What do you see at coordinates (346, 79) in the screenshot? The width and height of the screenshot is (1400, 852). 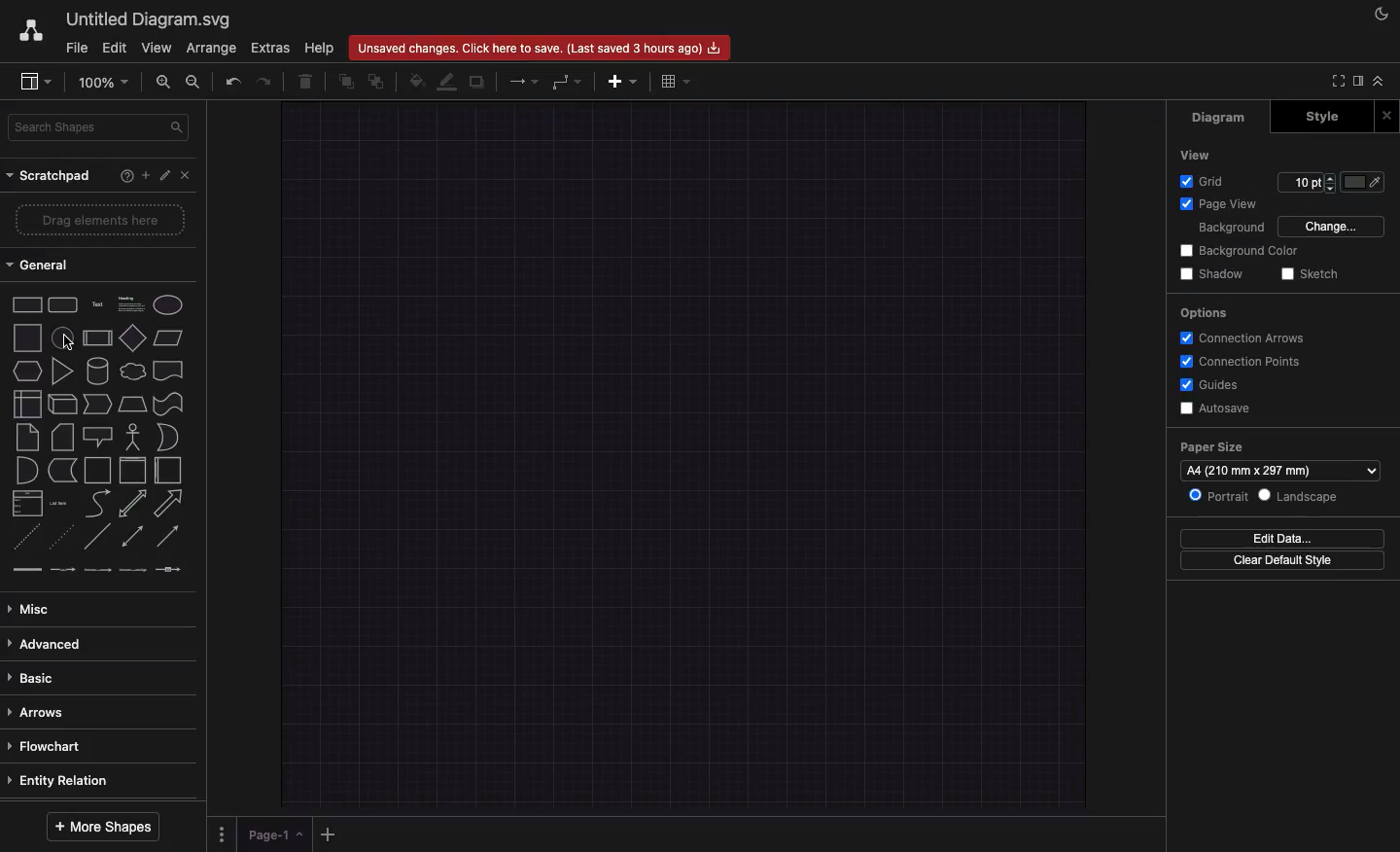 I see `To front` at bounding box center [346, 79].